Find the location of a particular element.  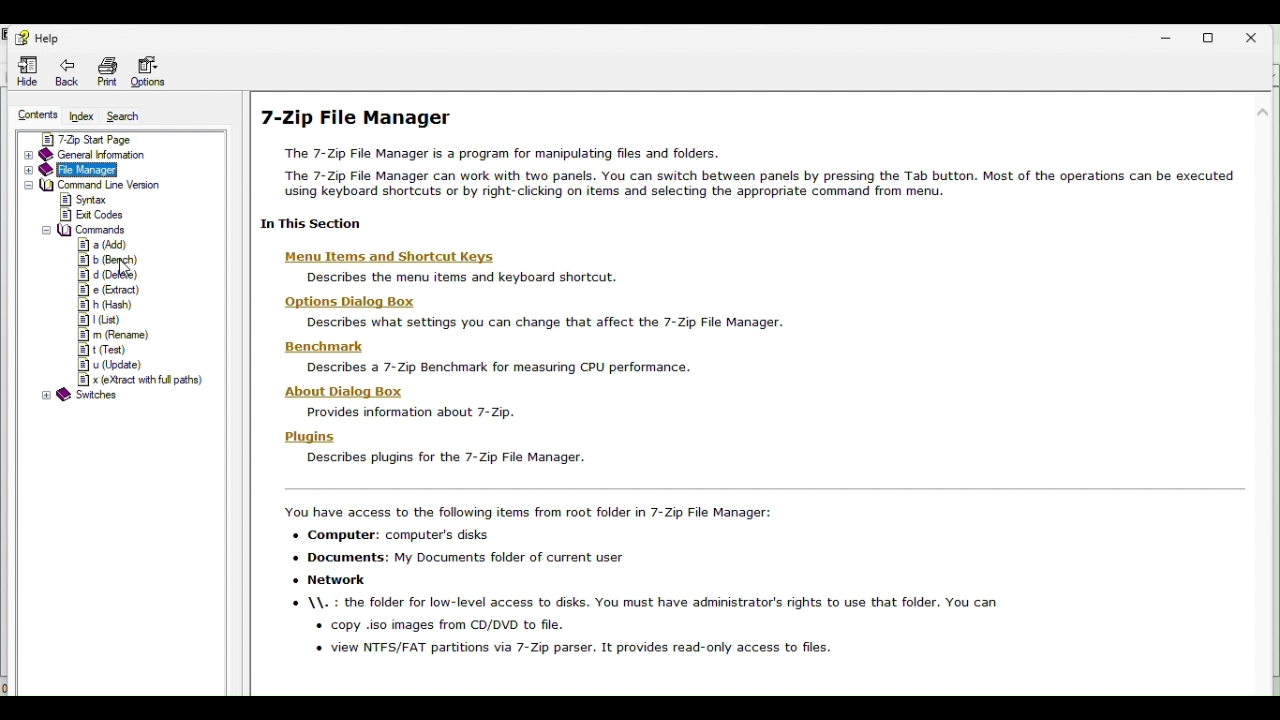

@ Switches is located at coordinates (85, 396).